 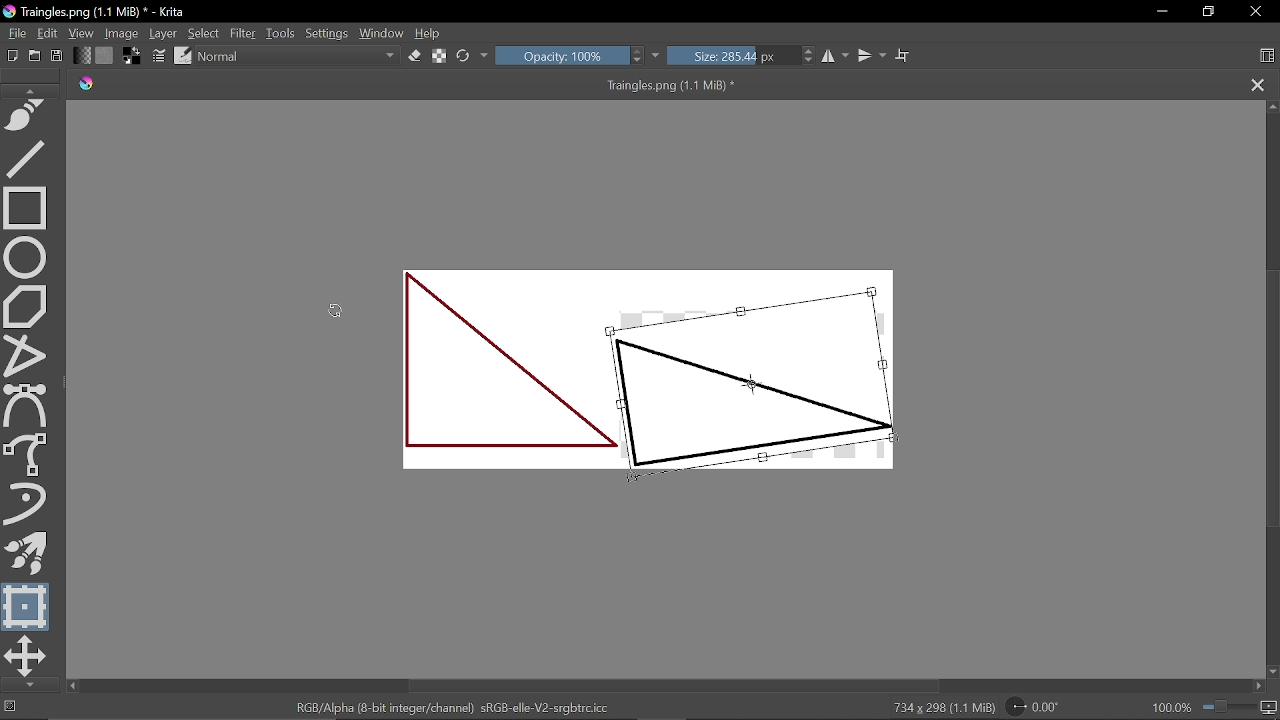 I want to click on Close, so click(x=1259, y=12).